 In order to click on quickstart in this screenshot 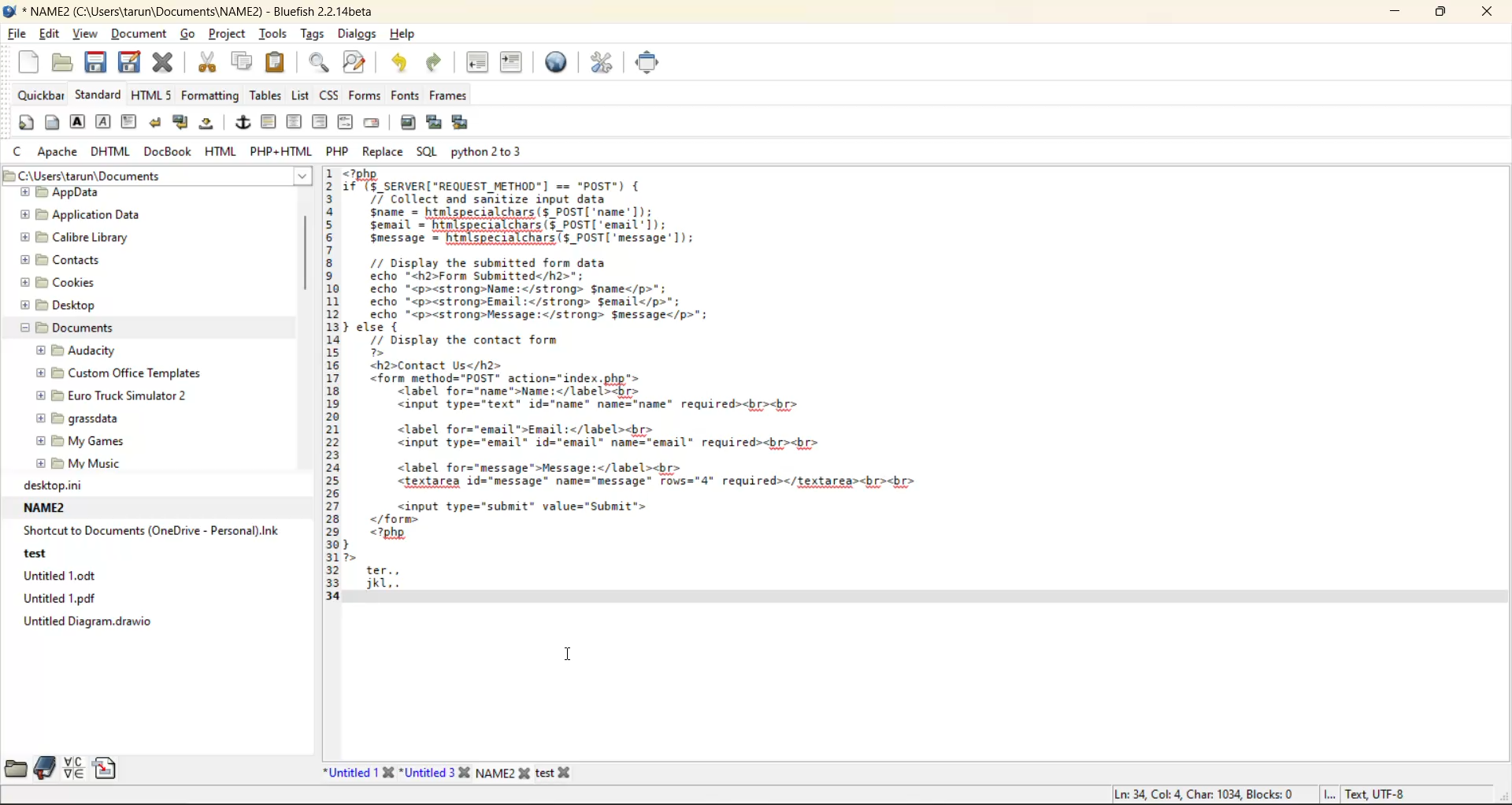, I will do `click(24, 123)`.